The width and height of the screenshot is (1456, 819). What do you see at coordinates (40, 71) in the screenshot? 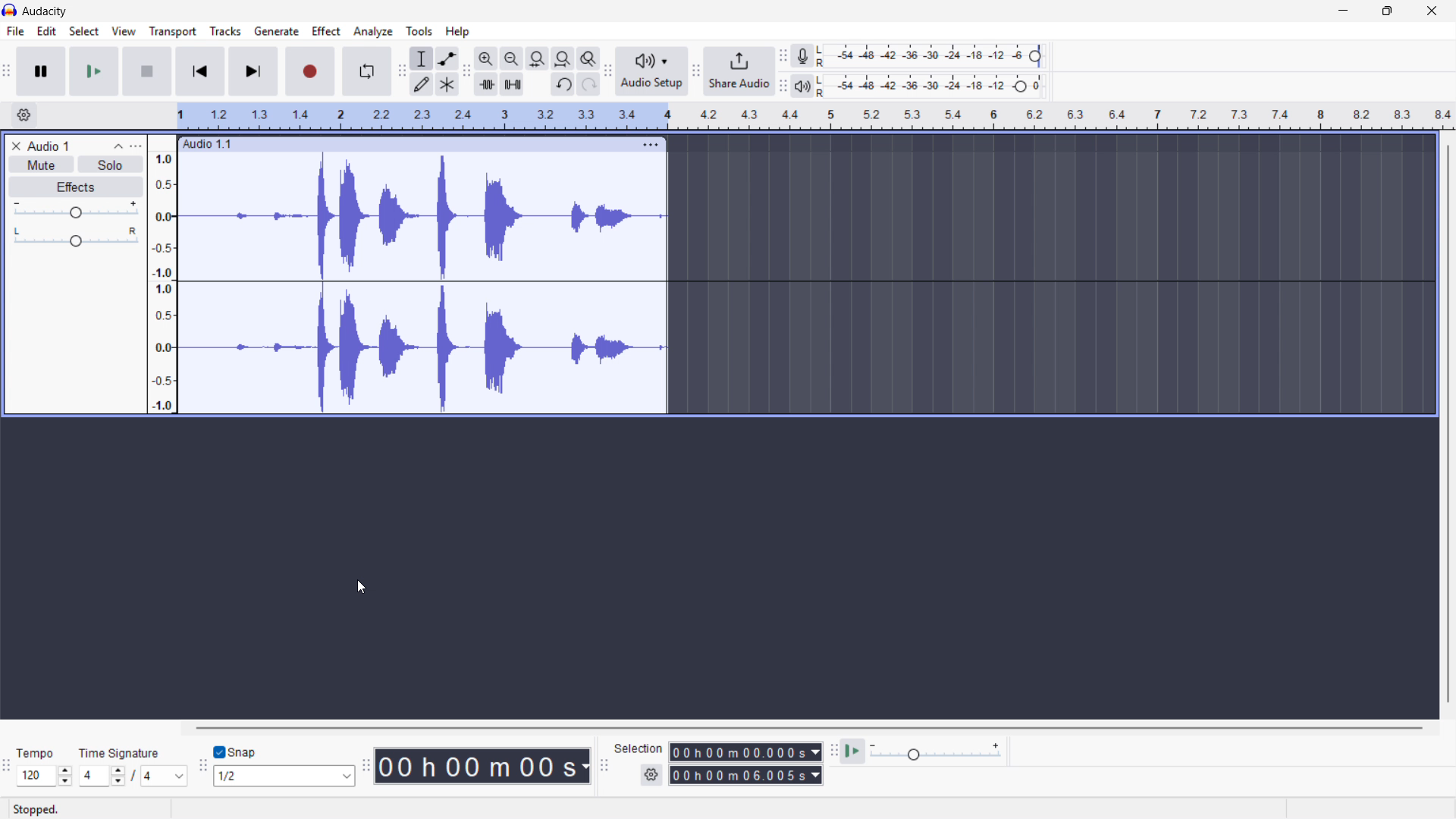
I see `pause ` at bounding box center [40, 71].